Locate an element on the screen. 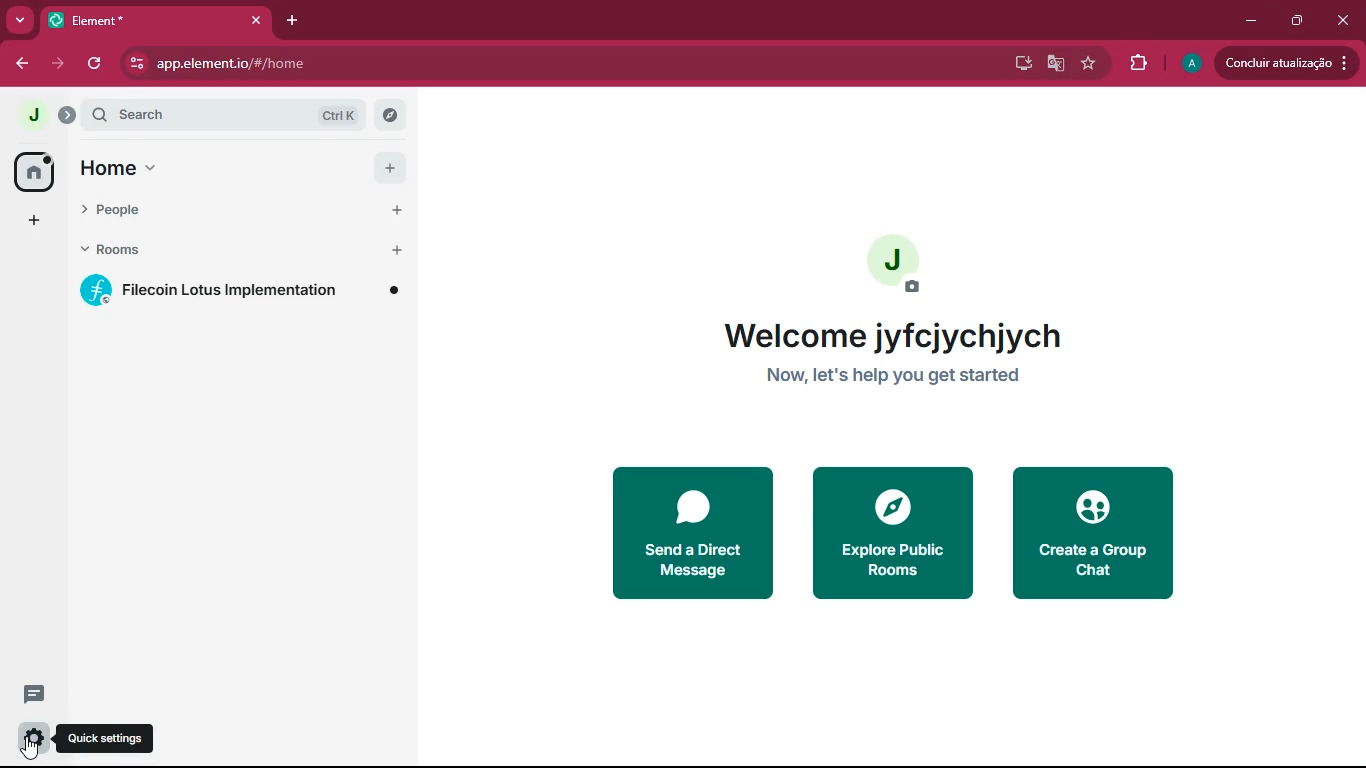 The image size is (1366, 768). profile  is located at coordinates (1186, 64).